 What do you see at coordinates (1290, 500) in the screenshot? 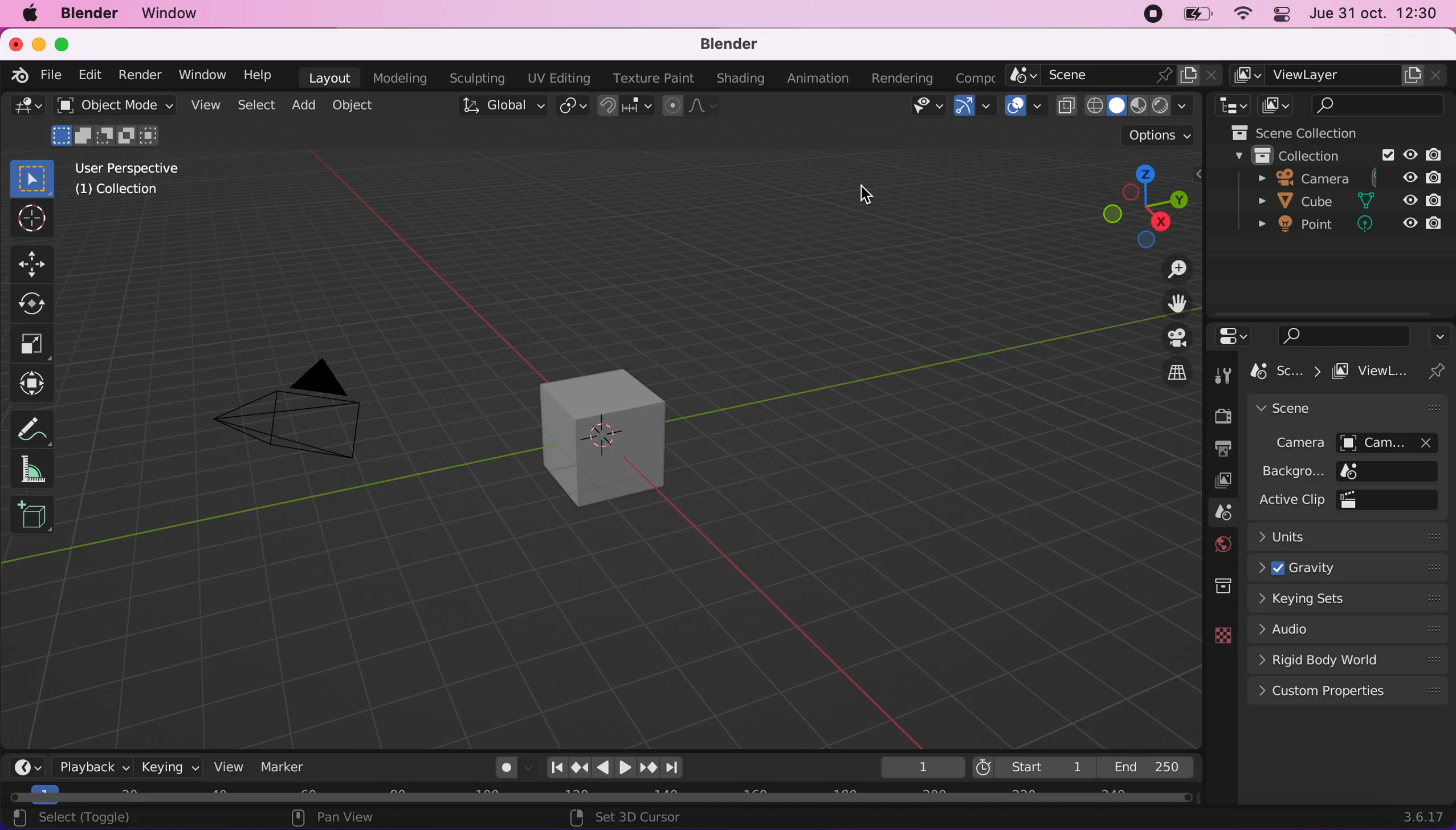
I see `active clip` at bounding box center [1290, 500].